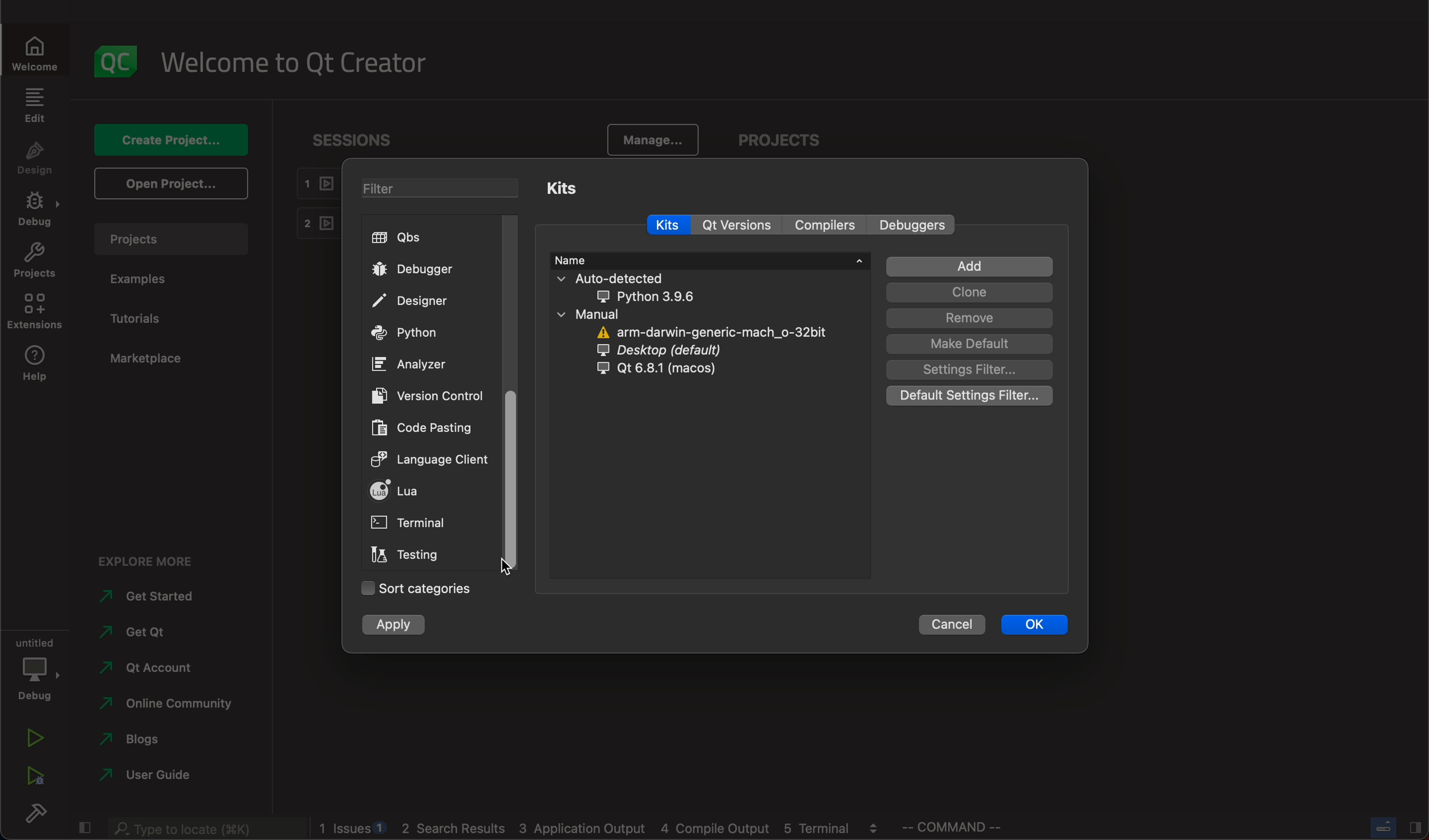  Describe the element at coordinates (416, 587) in the screenshot. I see `sort categories` at that location.